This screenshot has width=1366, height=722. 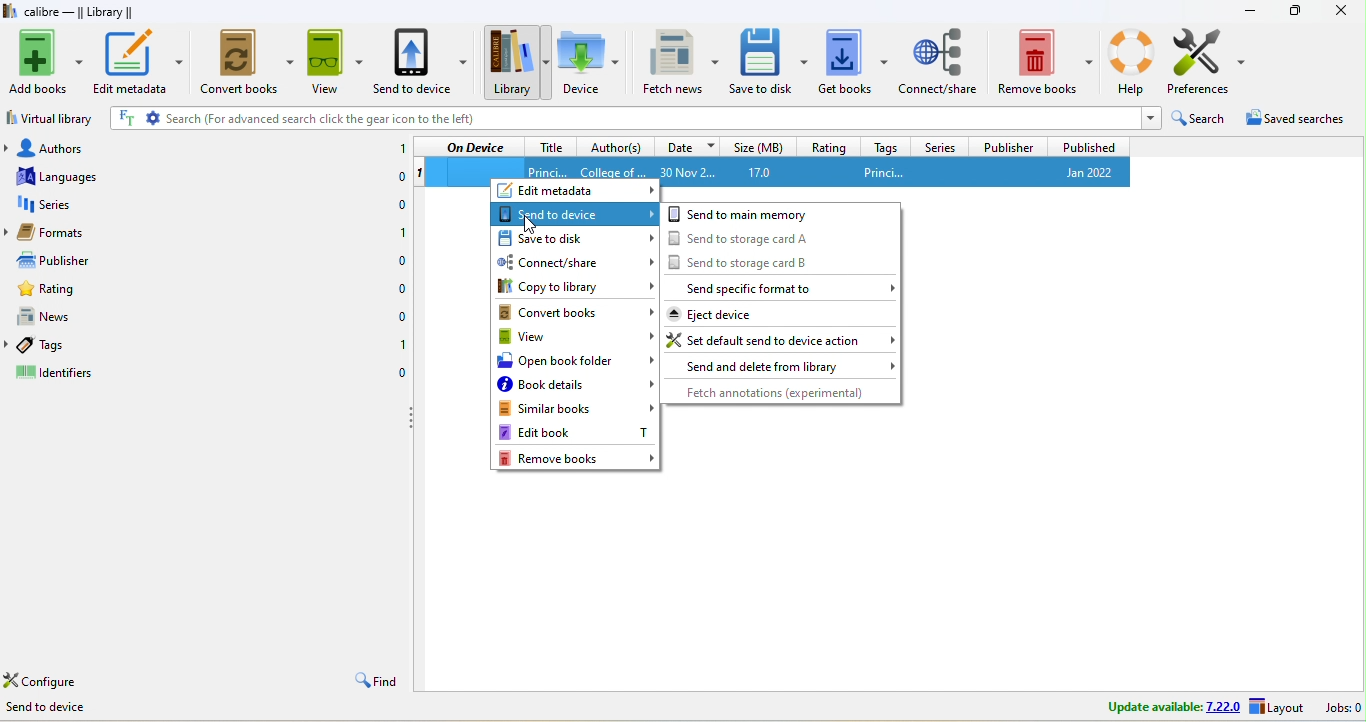 I want to click on tags, so click(x=63, y=343).